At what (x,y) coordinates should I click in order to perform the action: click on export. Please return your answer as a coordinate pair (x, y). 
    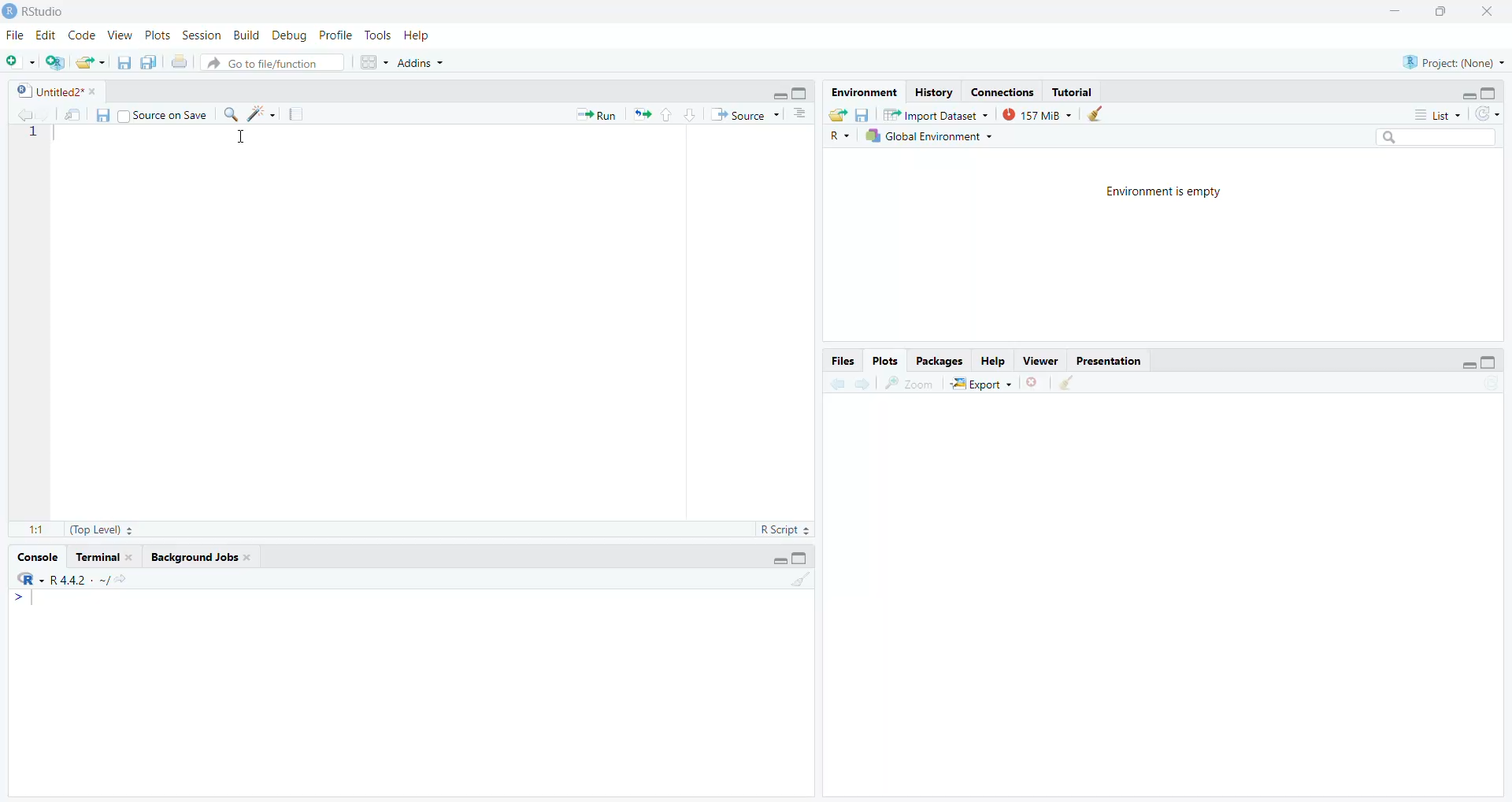
    Looking at the image, I should click on (980, 384).